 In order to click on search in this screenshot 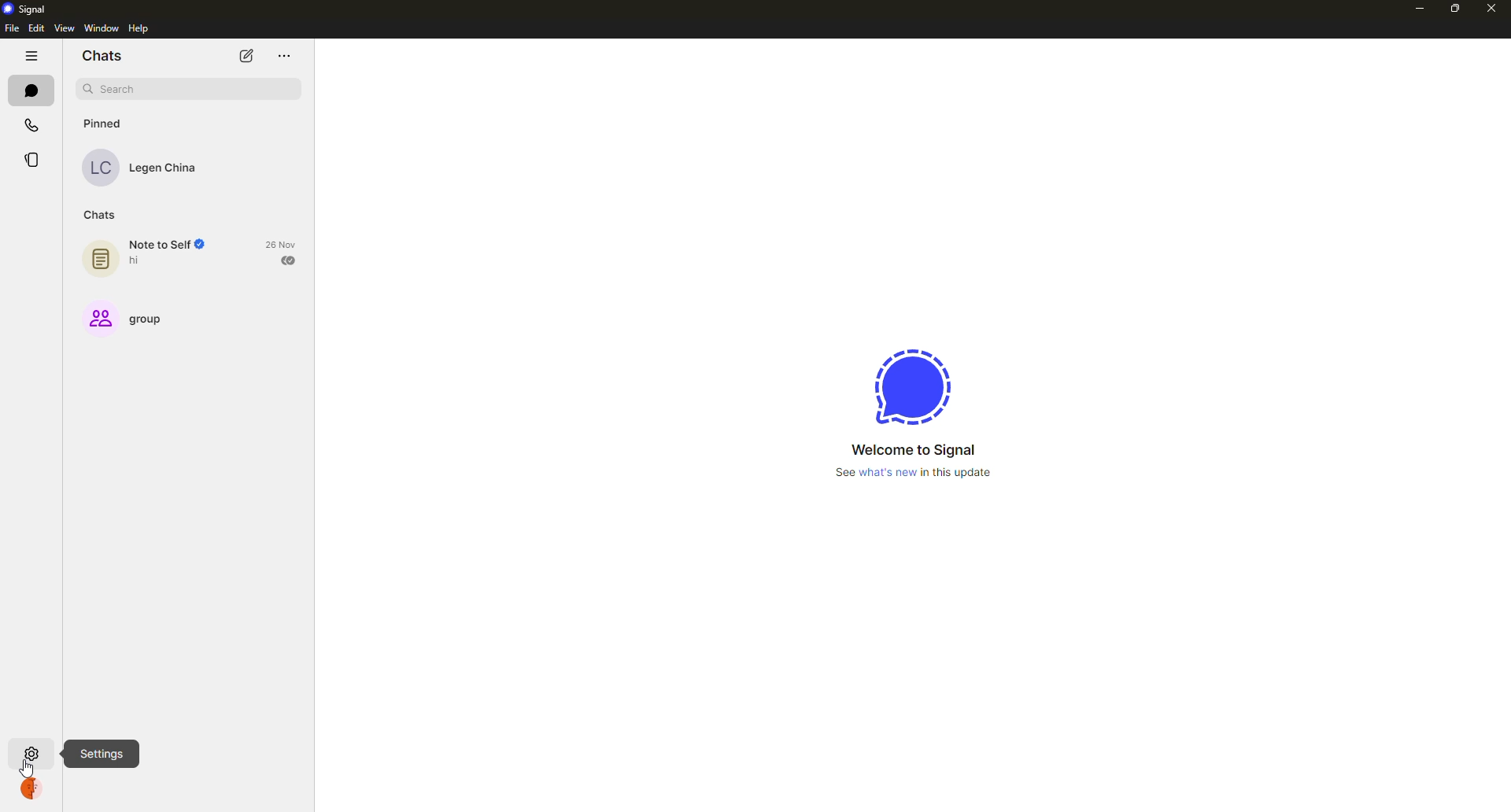, I will do `click(189, 89)`.